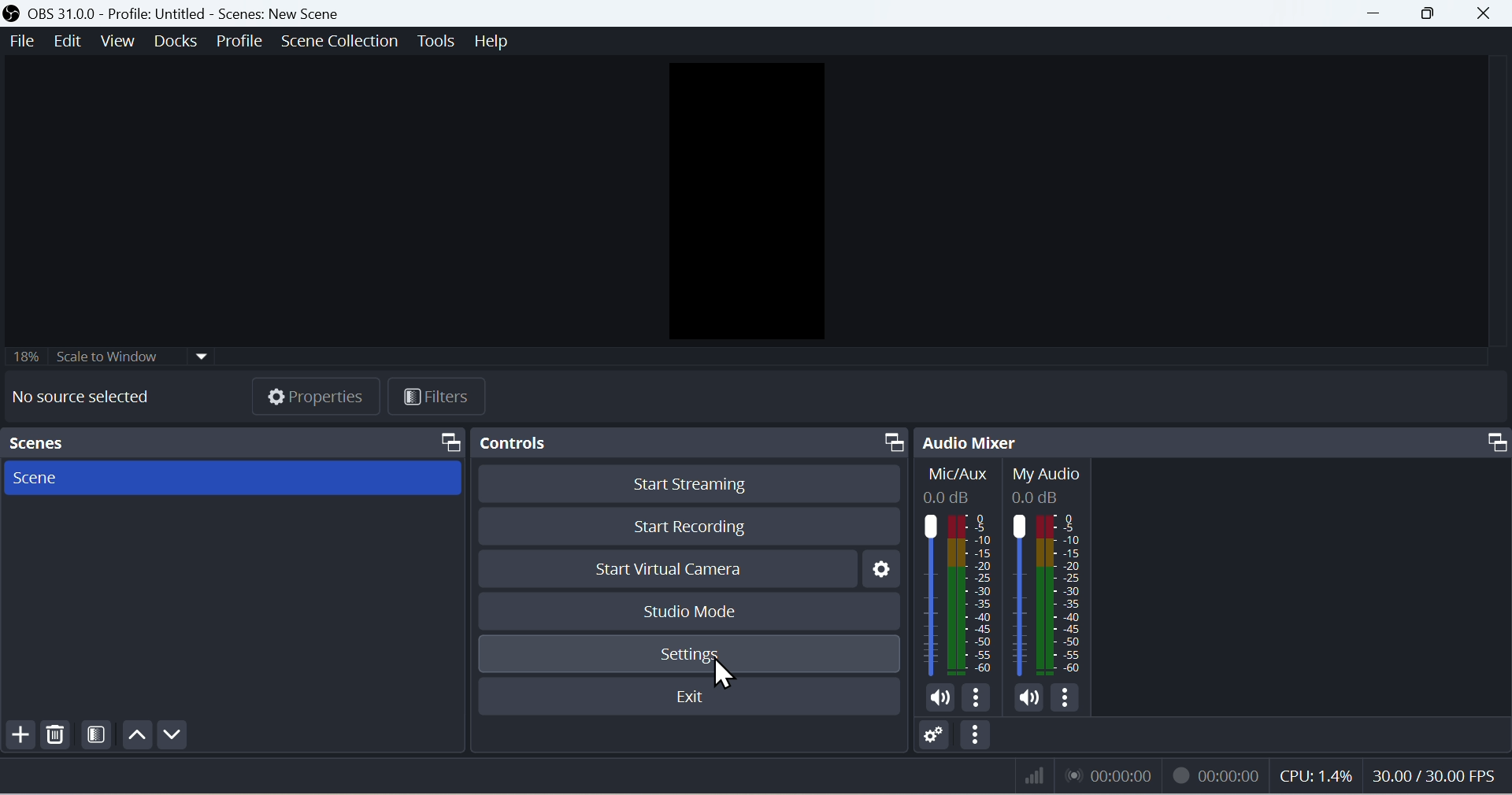 The image size is (1512, 795). What do you see at coordinates (1031, 699) in the screenshot?
I see `volume` at bounding box center [1031, 699].